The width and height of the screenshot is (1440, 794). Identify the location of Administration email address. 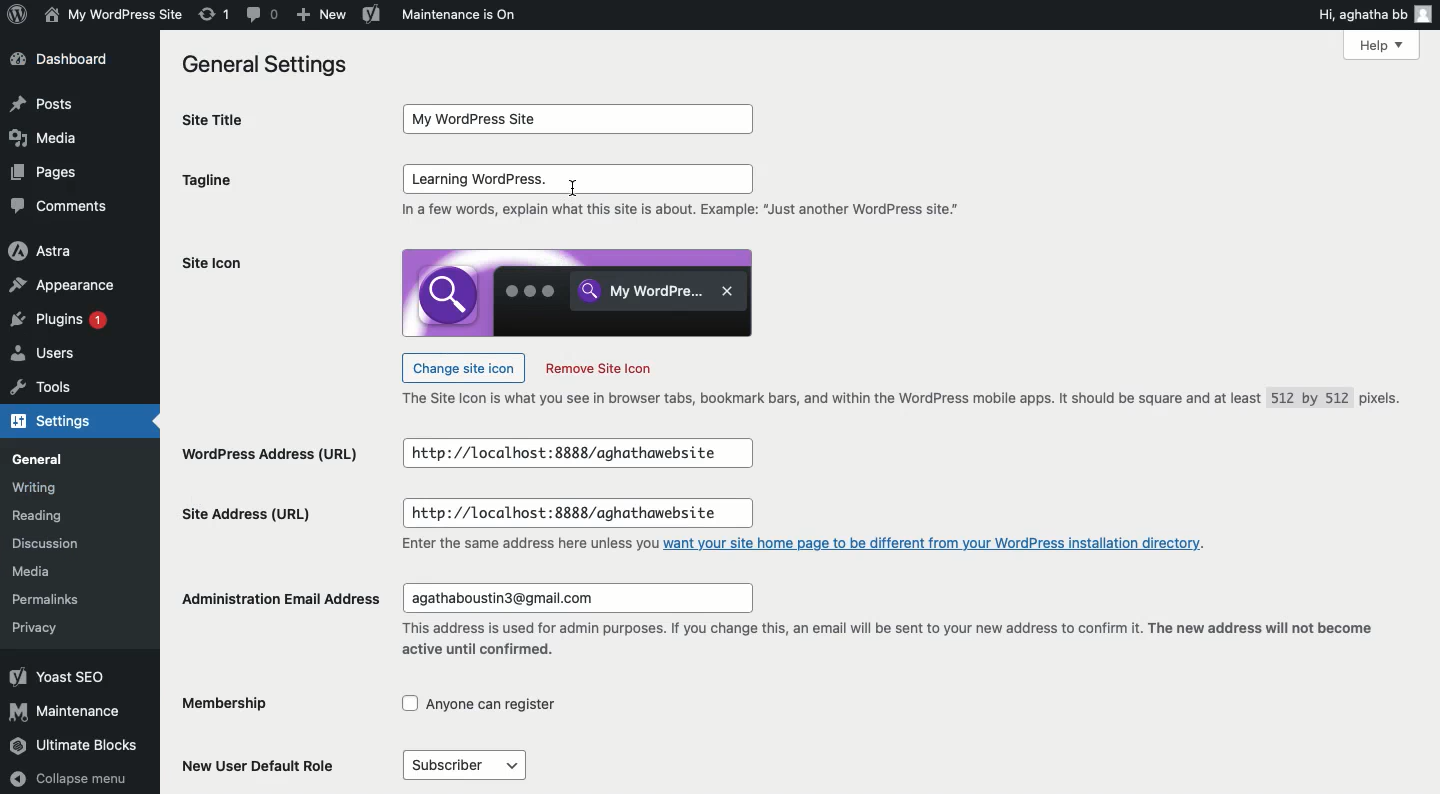
(284, 602).